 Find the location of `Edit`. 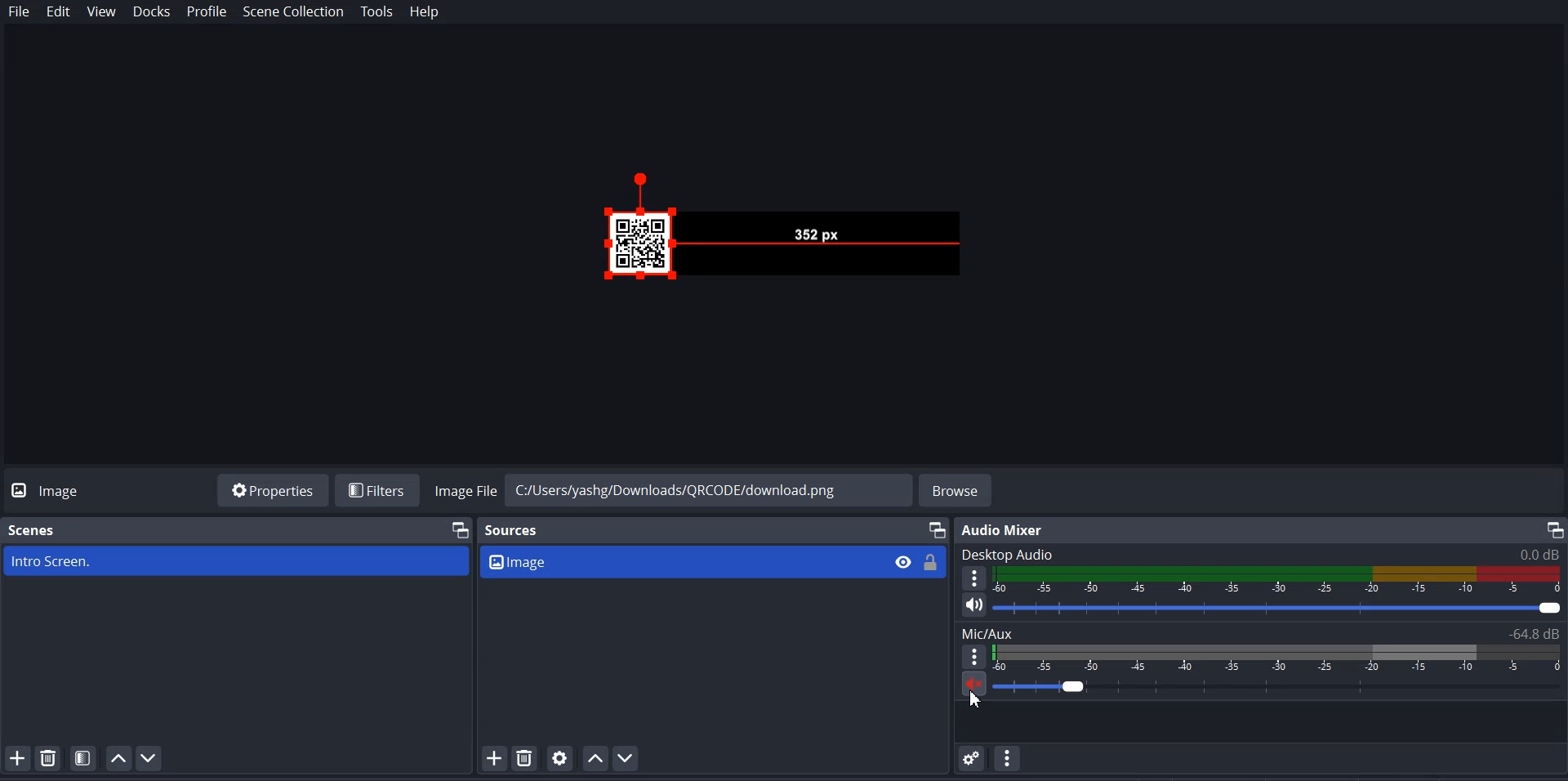

Edit is located at coordinates (58, 11).